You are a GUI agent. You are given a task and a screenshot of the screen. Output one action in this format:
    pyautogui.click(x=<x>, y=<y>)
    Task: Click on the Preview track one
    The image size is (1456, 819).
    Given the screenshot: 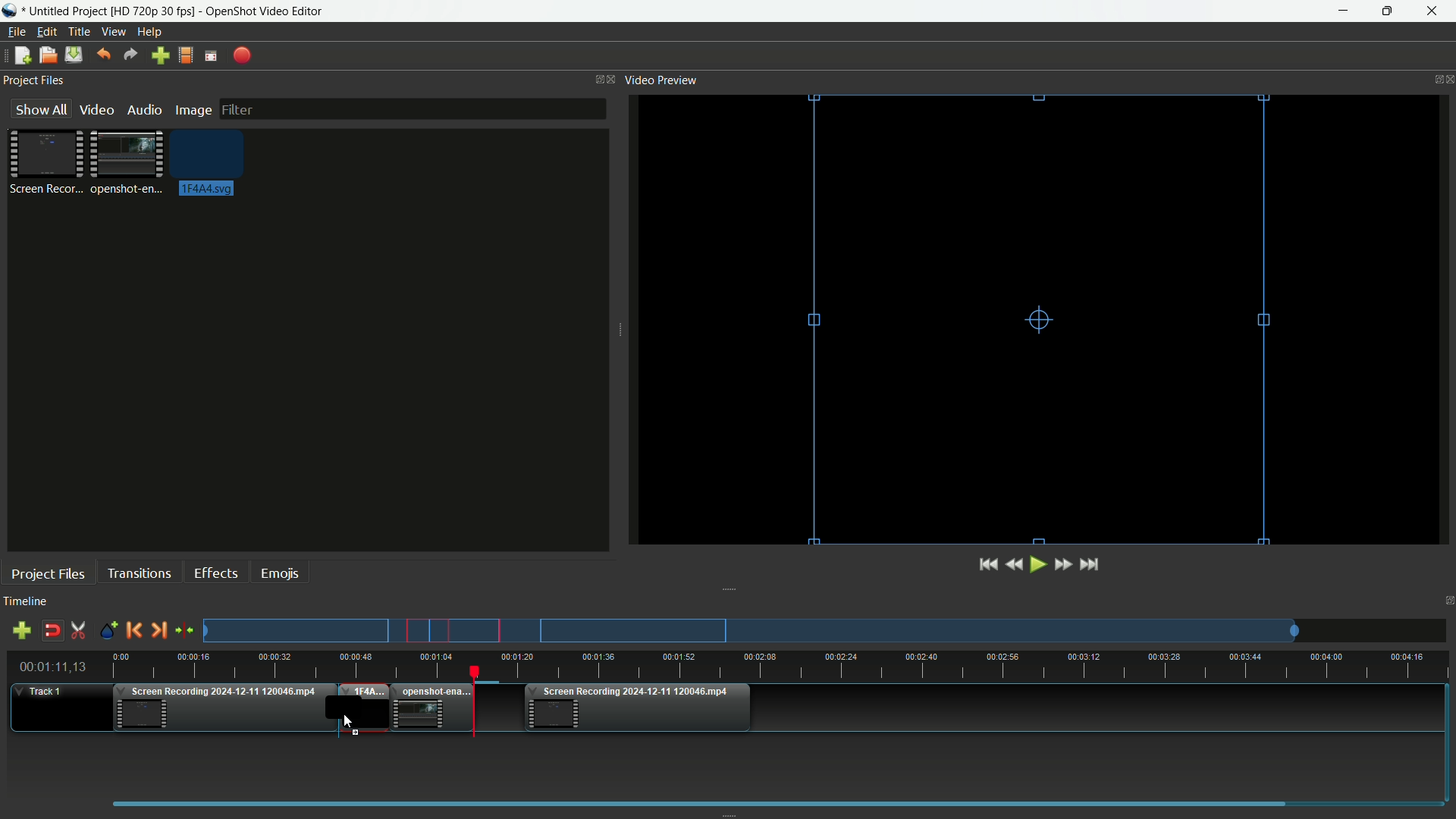 What is the action you would take?
    pyautogui.click(x=830, y=631)
    